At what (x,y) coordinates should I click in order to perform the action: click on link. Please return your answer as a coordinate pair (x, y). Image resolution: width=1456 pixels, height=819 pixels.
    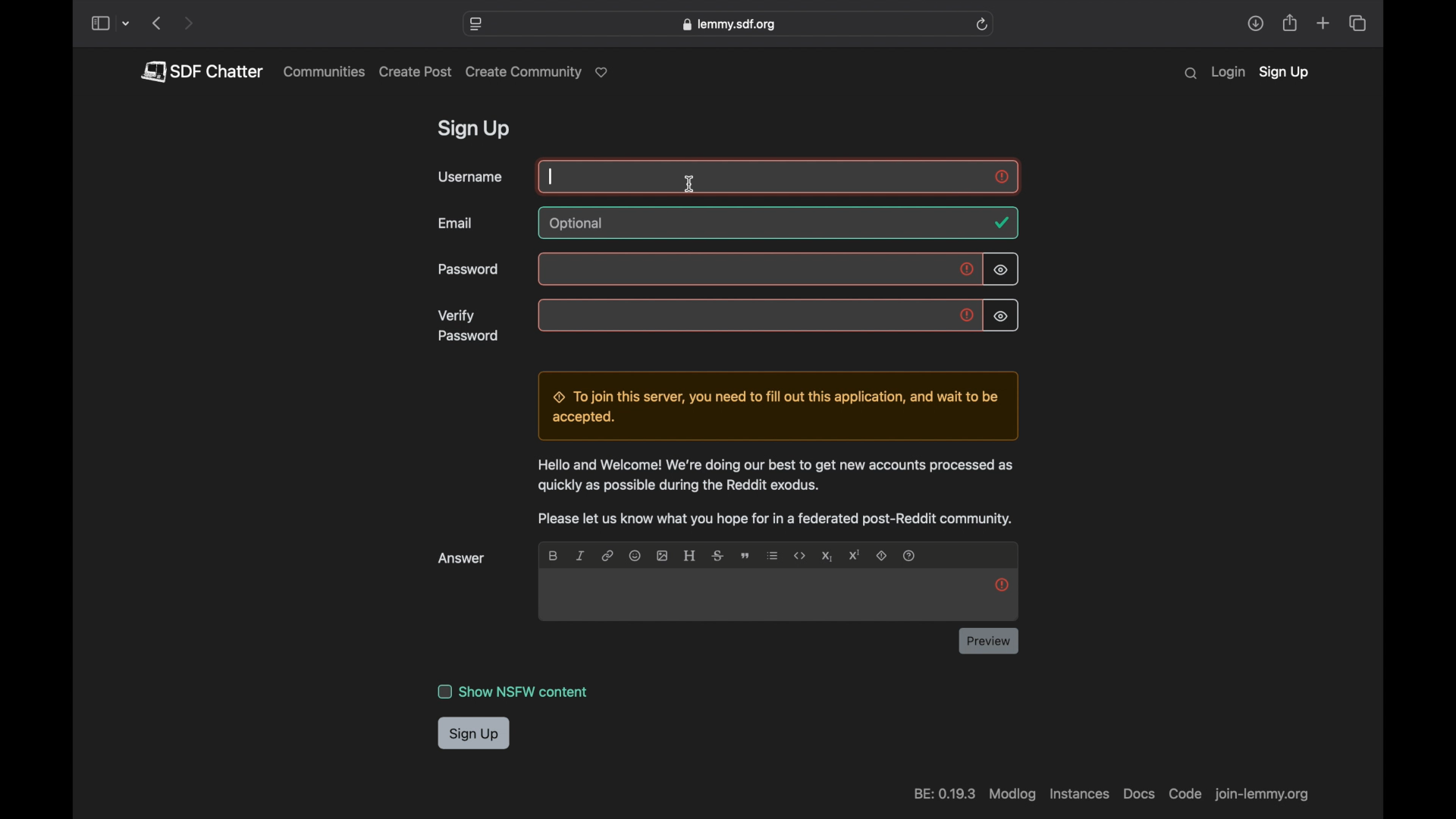
    Looking at the image, I should click on (607, 555).